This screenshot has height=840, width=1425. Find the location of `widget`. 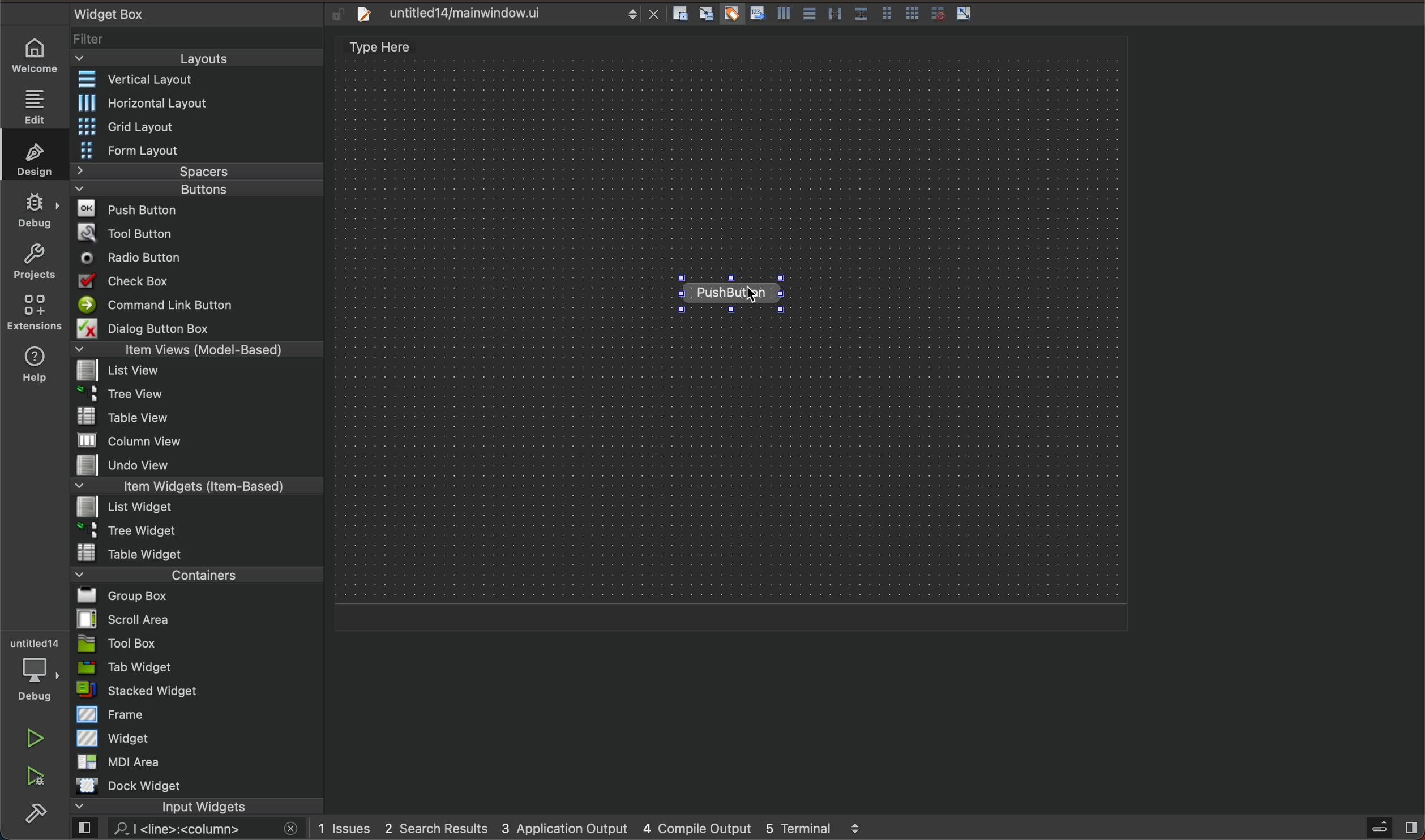

widget is located at coordinates (200, 741).